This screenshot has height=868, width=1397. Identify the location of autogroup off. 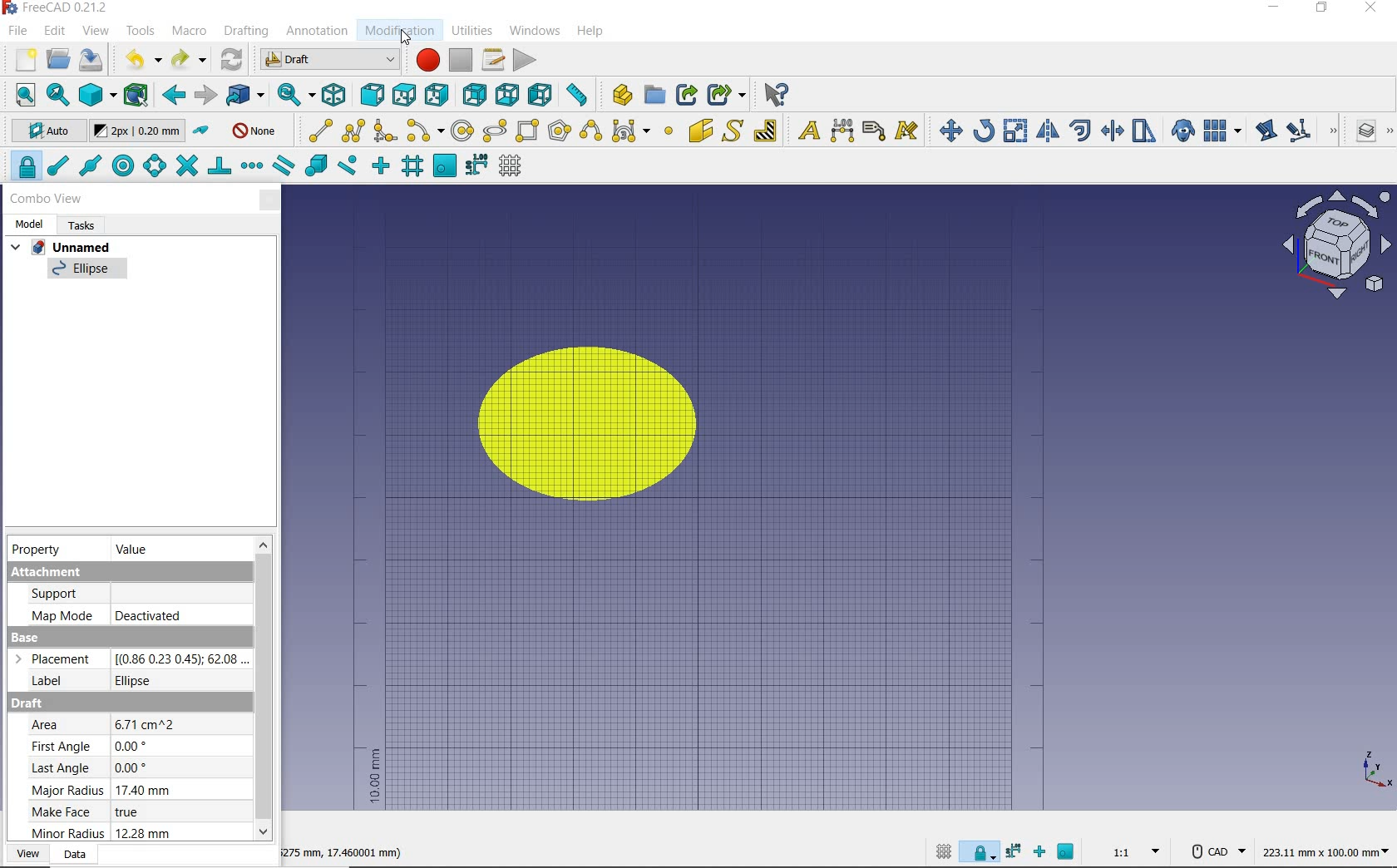
(257, 130).